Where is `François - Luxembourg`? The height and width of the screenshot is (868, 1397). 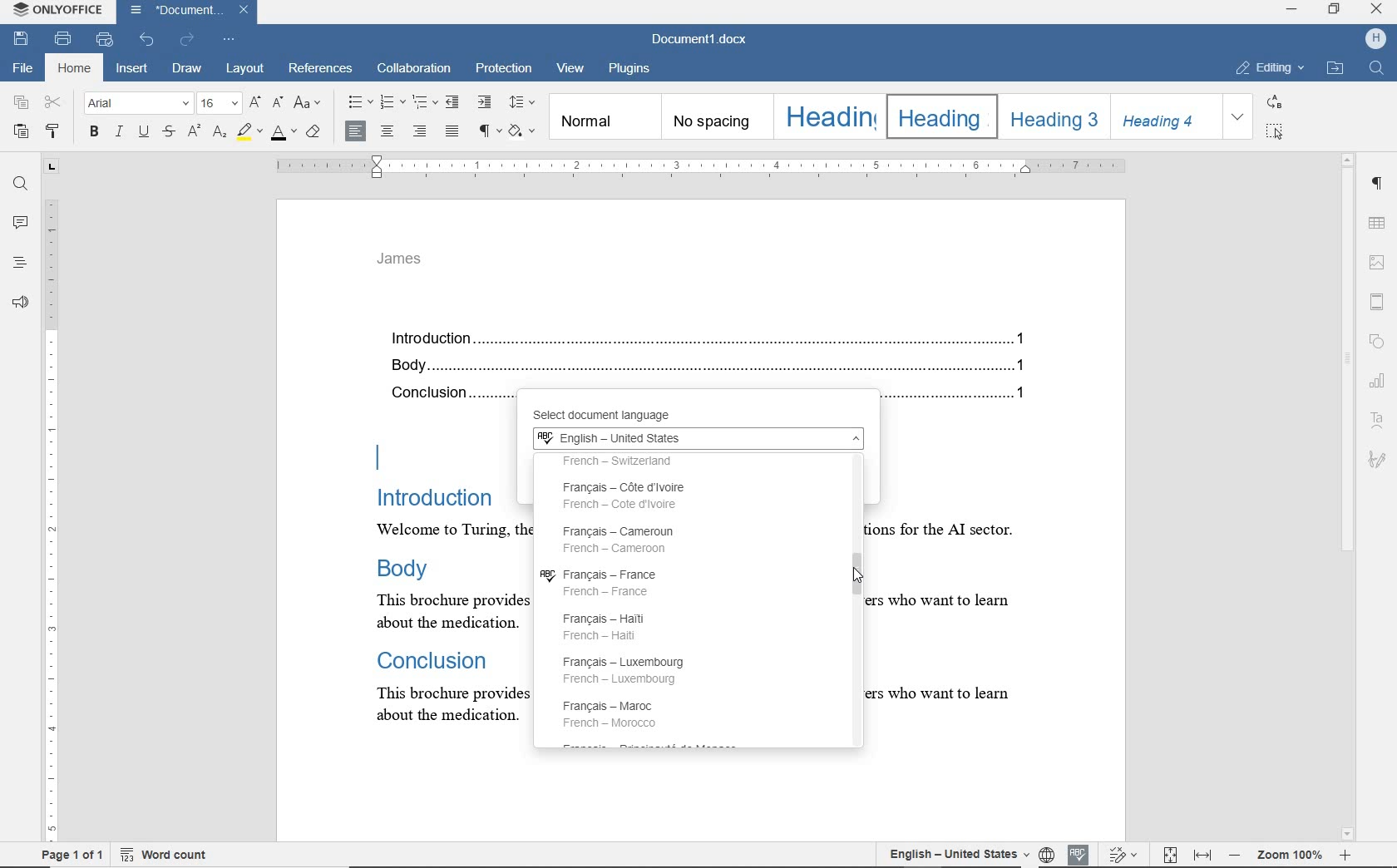 François - Luxembourg is located at coordinates (633, 668).